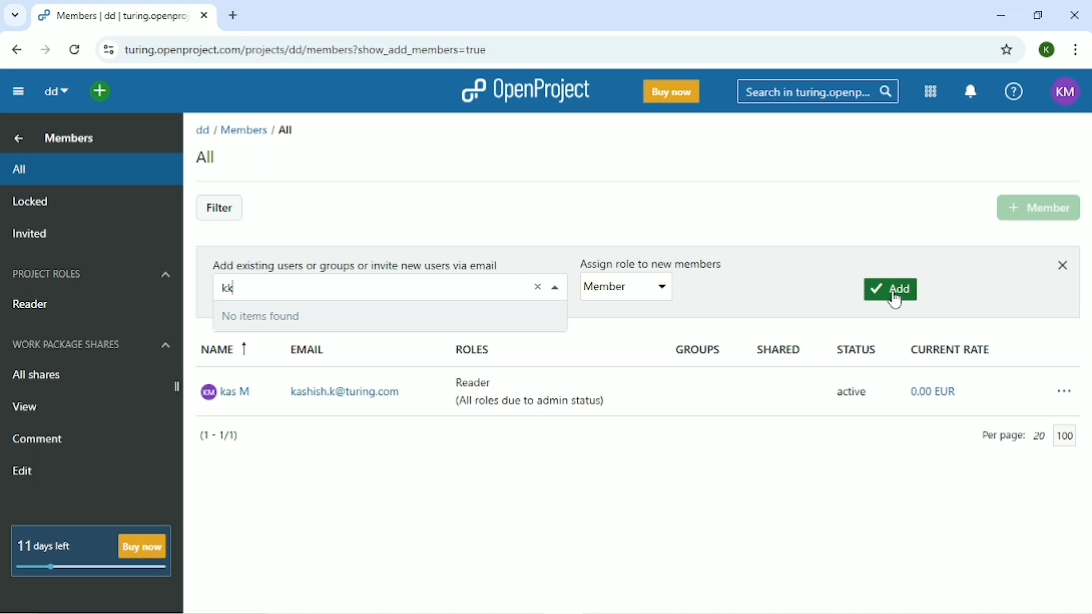 This screenshot has height=614, width=1092. Describe the element at coordinates (285, 129) in the screenshot. I see `All` at that location.